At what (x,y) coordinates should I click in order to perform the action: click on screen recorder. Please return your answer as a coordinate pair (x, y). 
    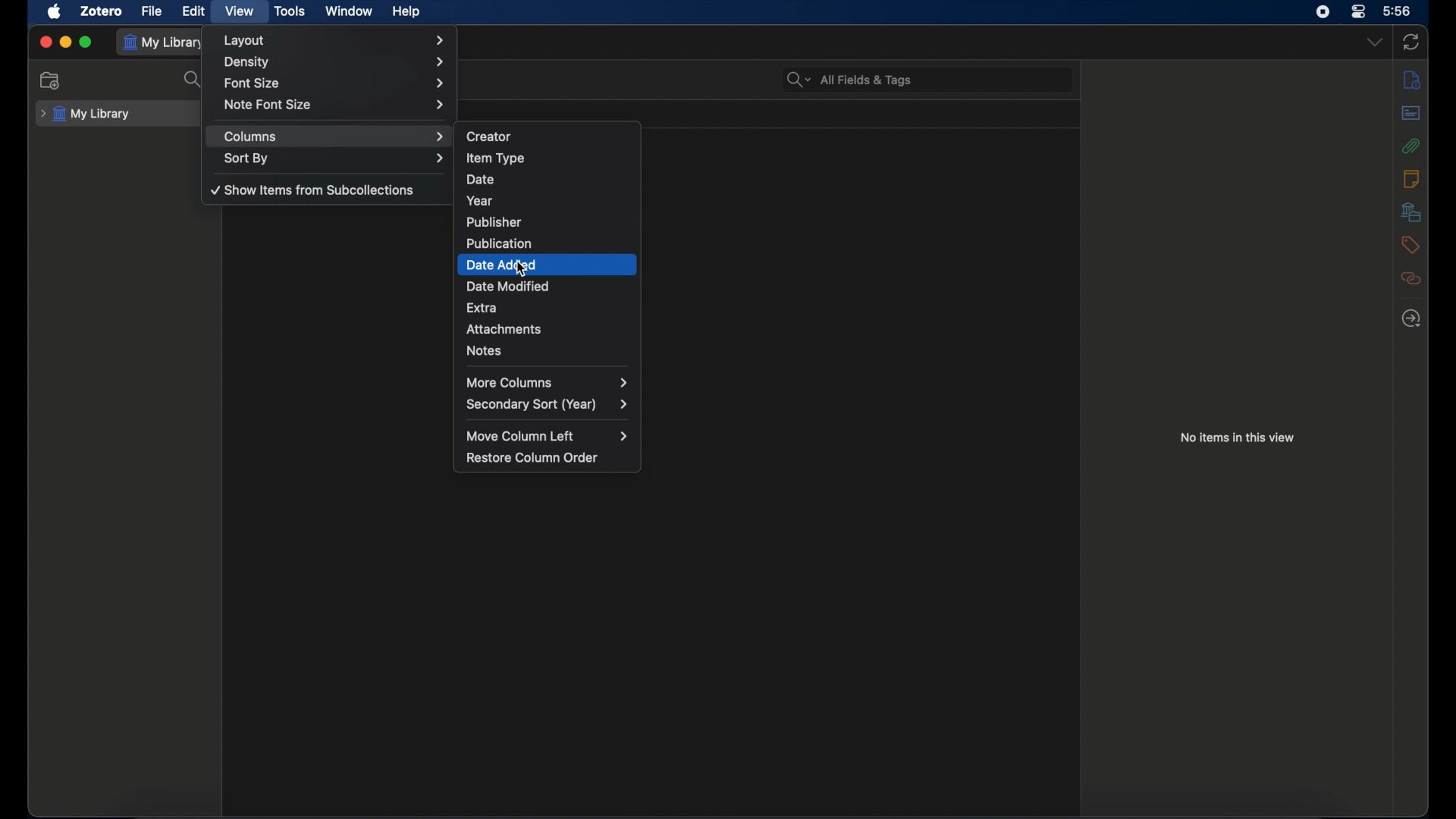
    Looking at the image, I should click on (1323, 12).